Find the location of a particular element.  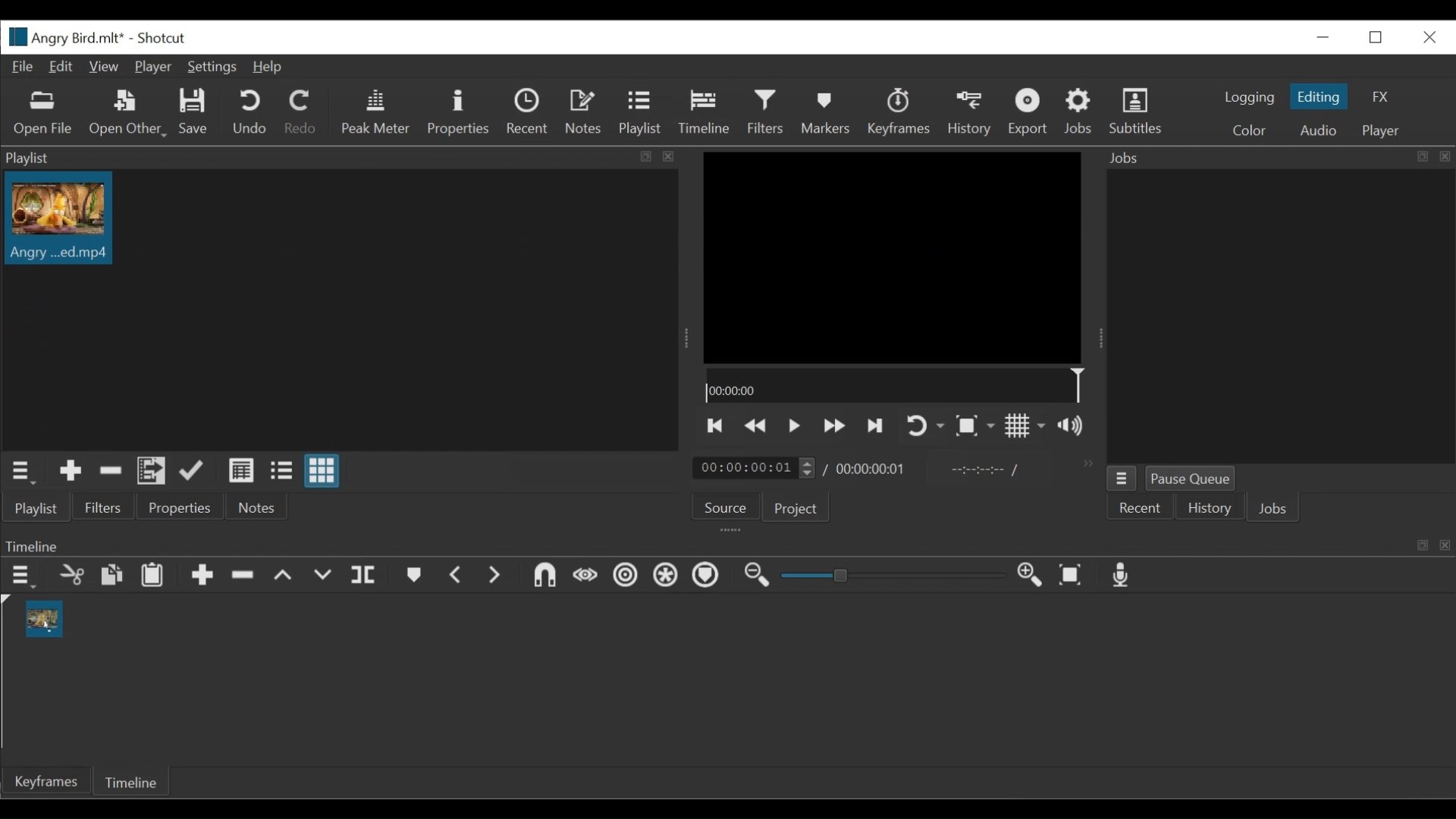

Save is located at coordinates (194, 112).